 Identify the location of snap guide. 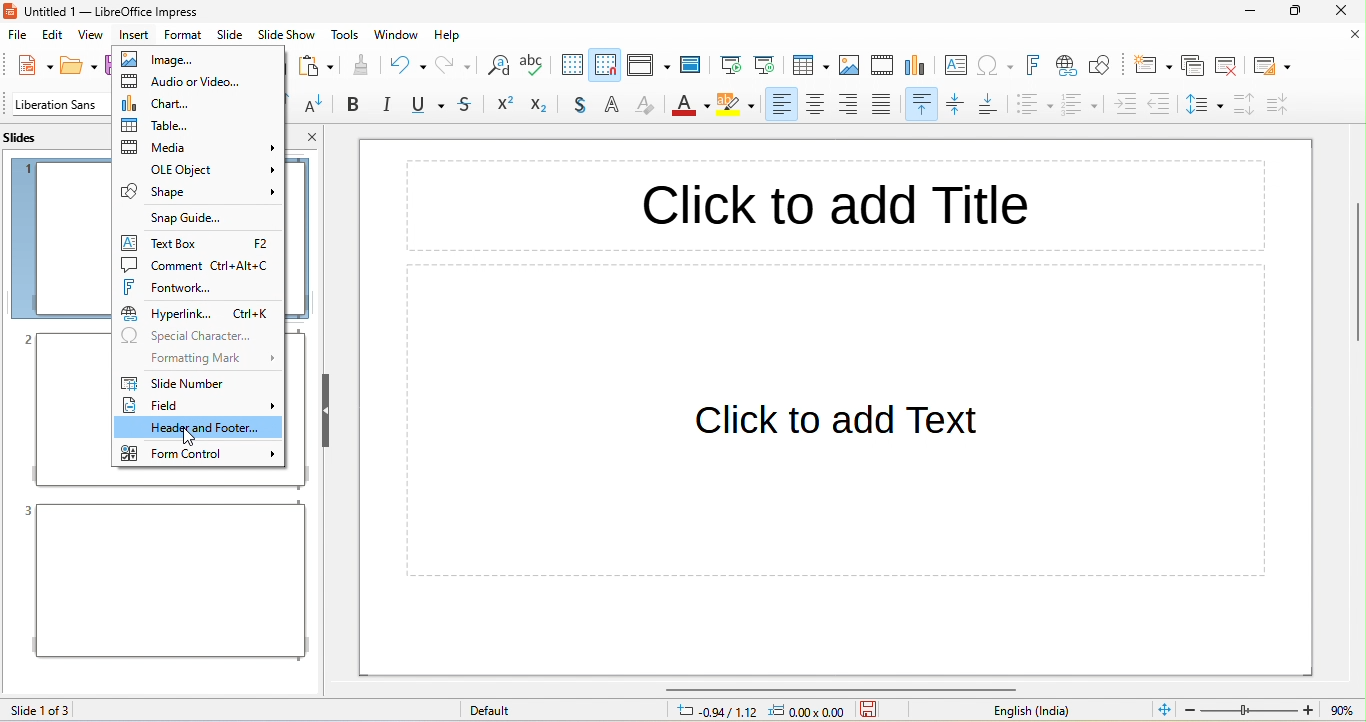
(209, 217).